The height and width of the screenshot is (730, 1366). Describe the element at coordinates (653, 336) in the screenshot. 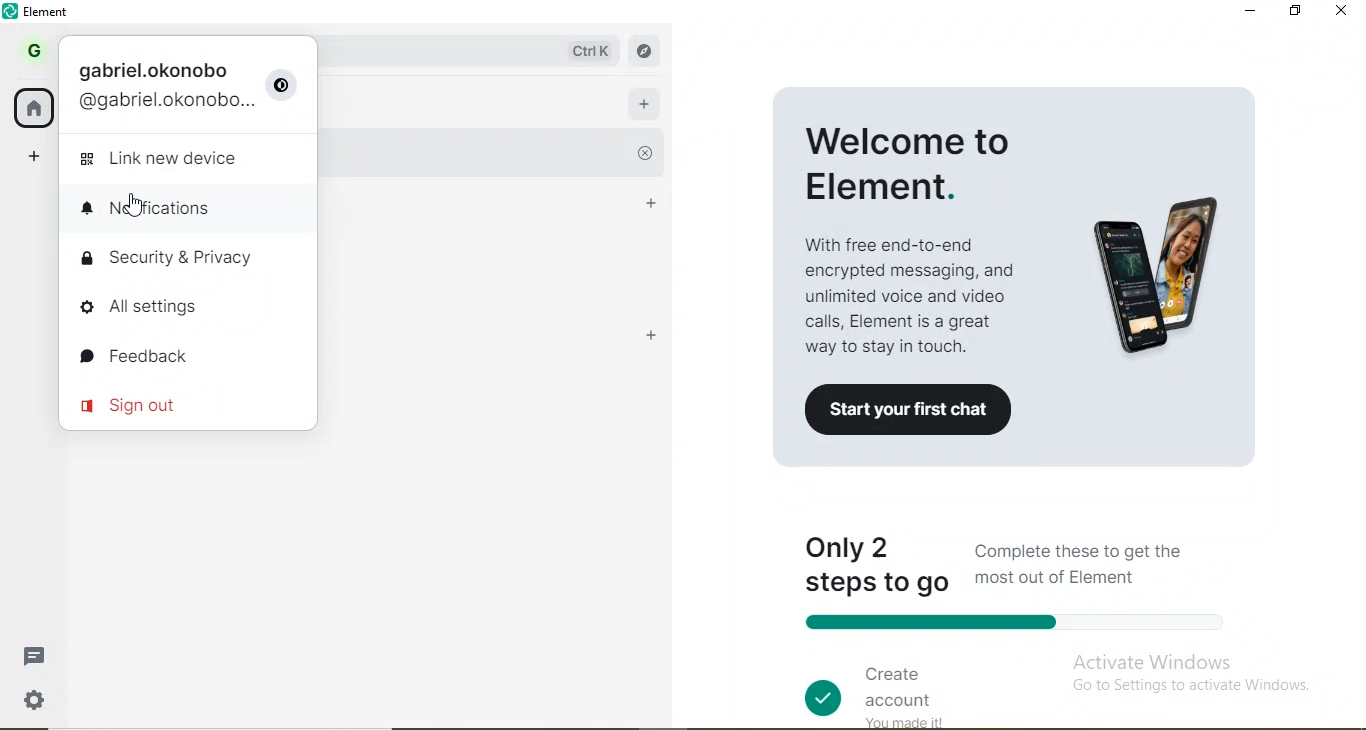

I see `add room` at that location.